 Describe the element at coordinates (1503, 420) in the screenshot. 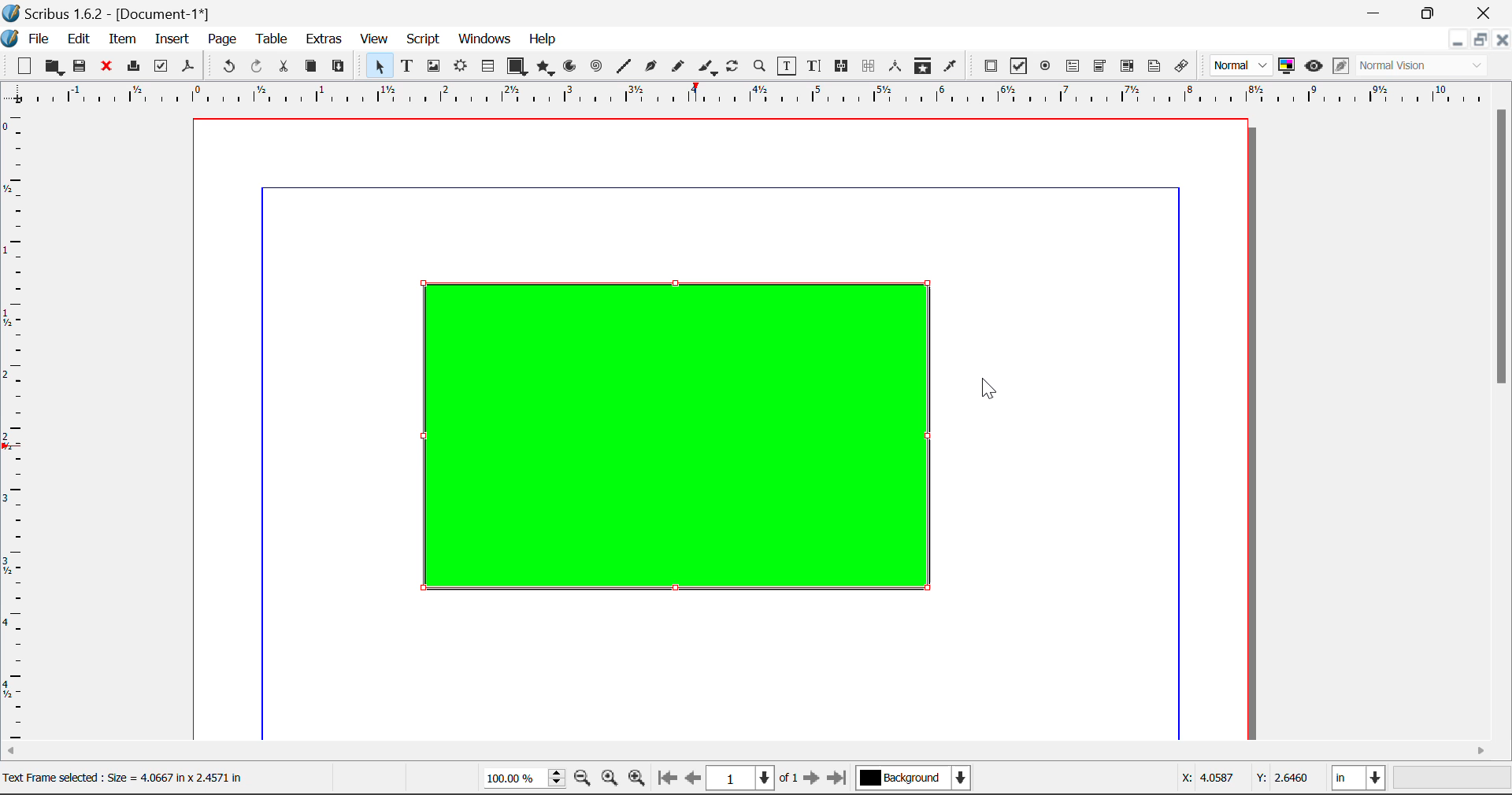

I see `Scroll Bar` at that location.